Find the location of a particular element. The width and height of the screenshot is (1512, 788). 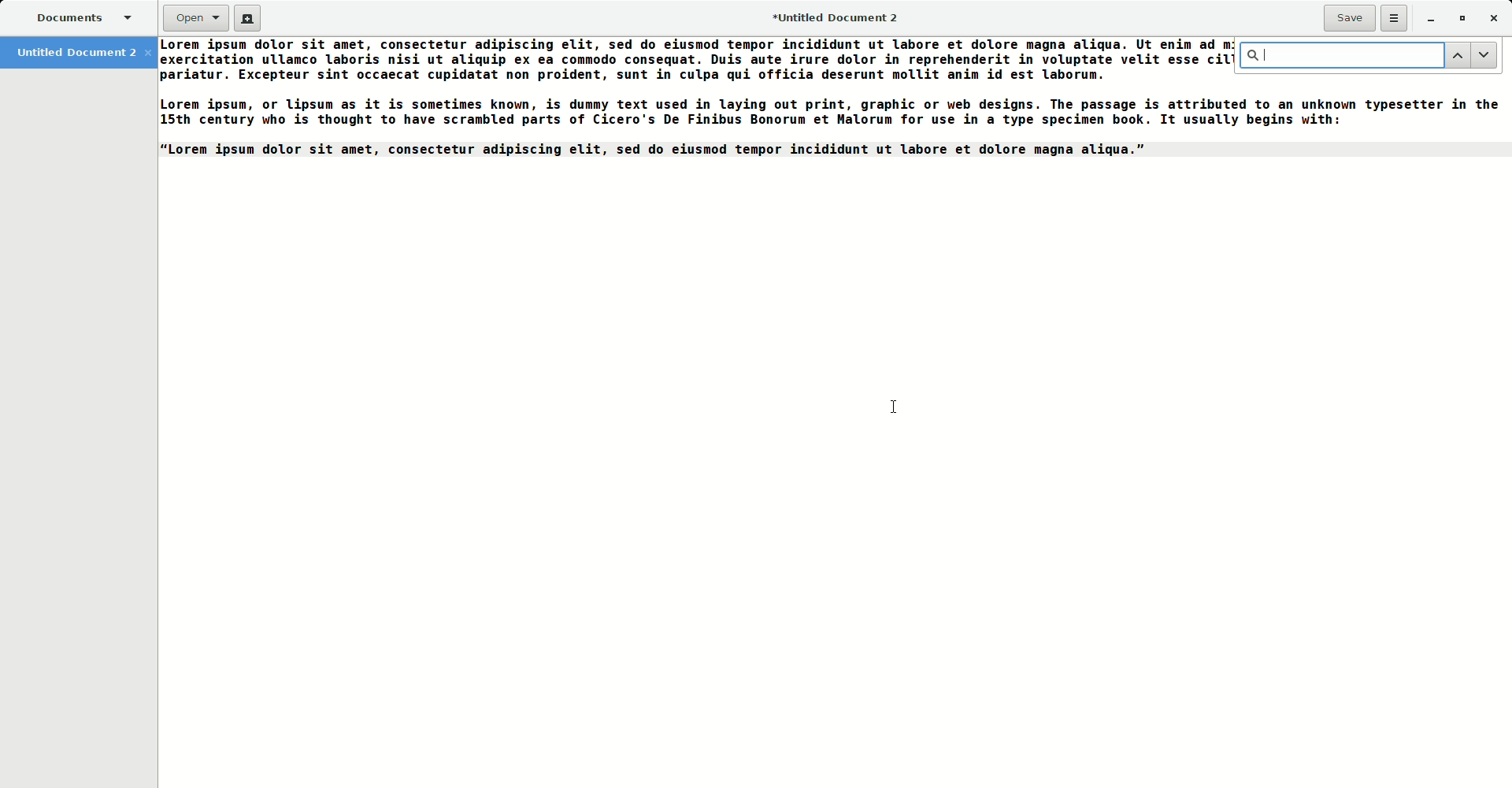

Restore is located at coordinates (1460, 18).